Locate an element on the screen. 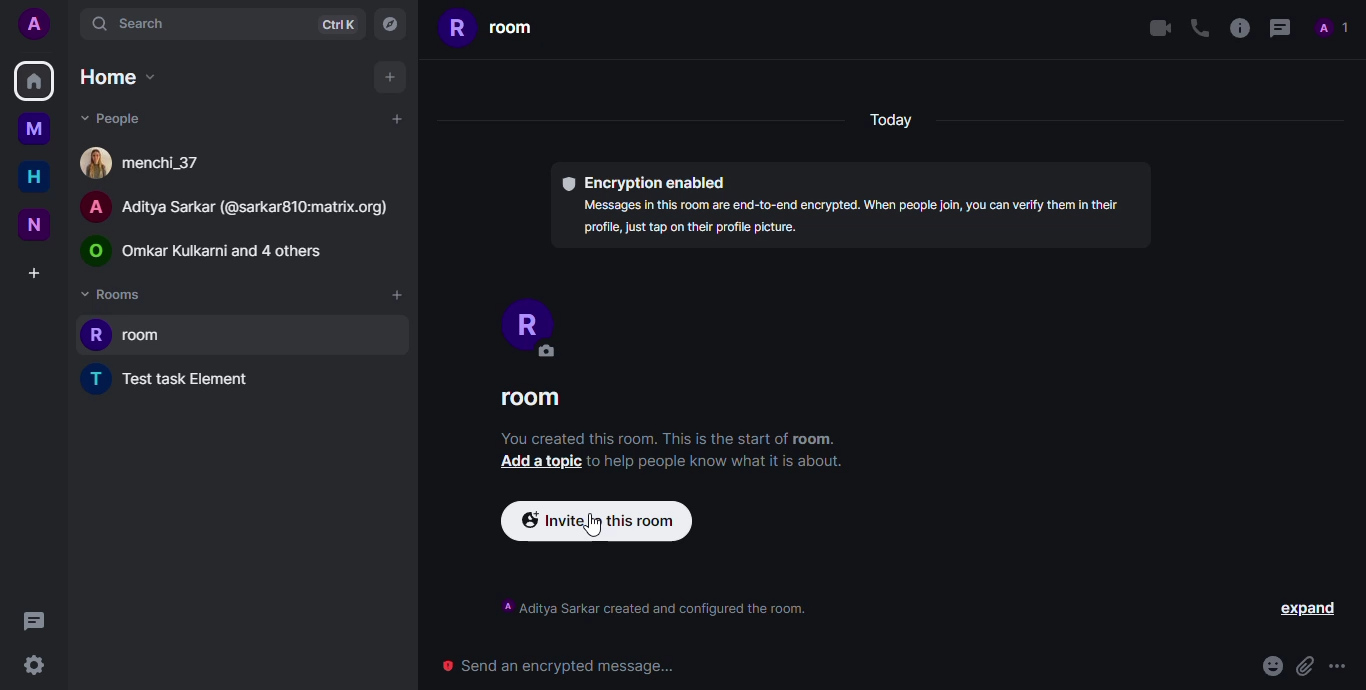  search is located at coordinates (141, 26).